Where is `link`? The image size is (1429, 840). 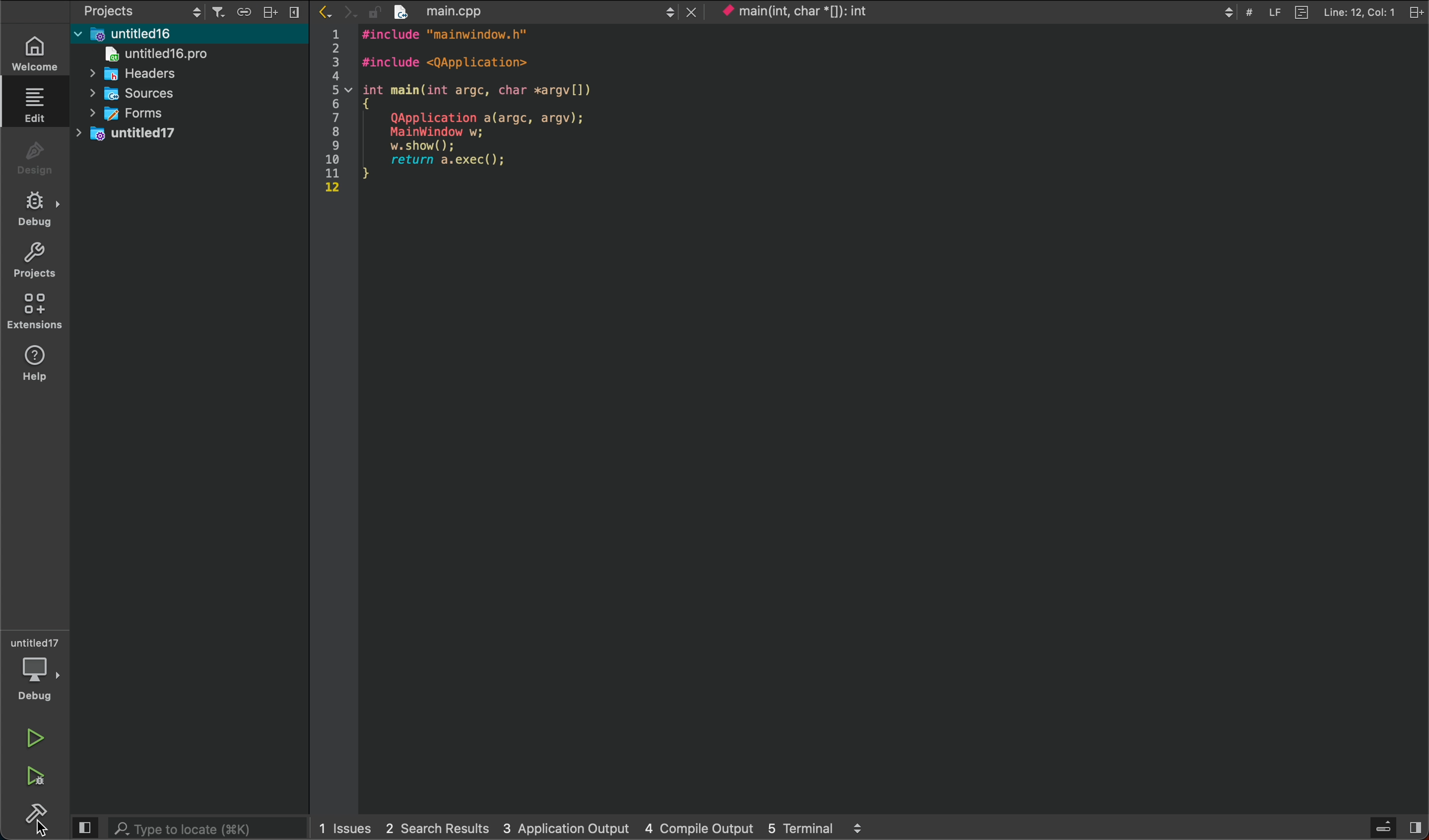 link is located at coordinates (248, 11).